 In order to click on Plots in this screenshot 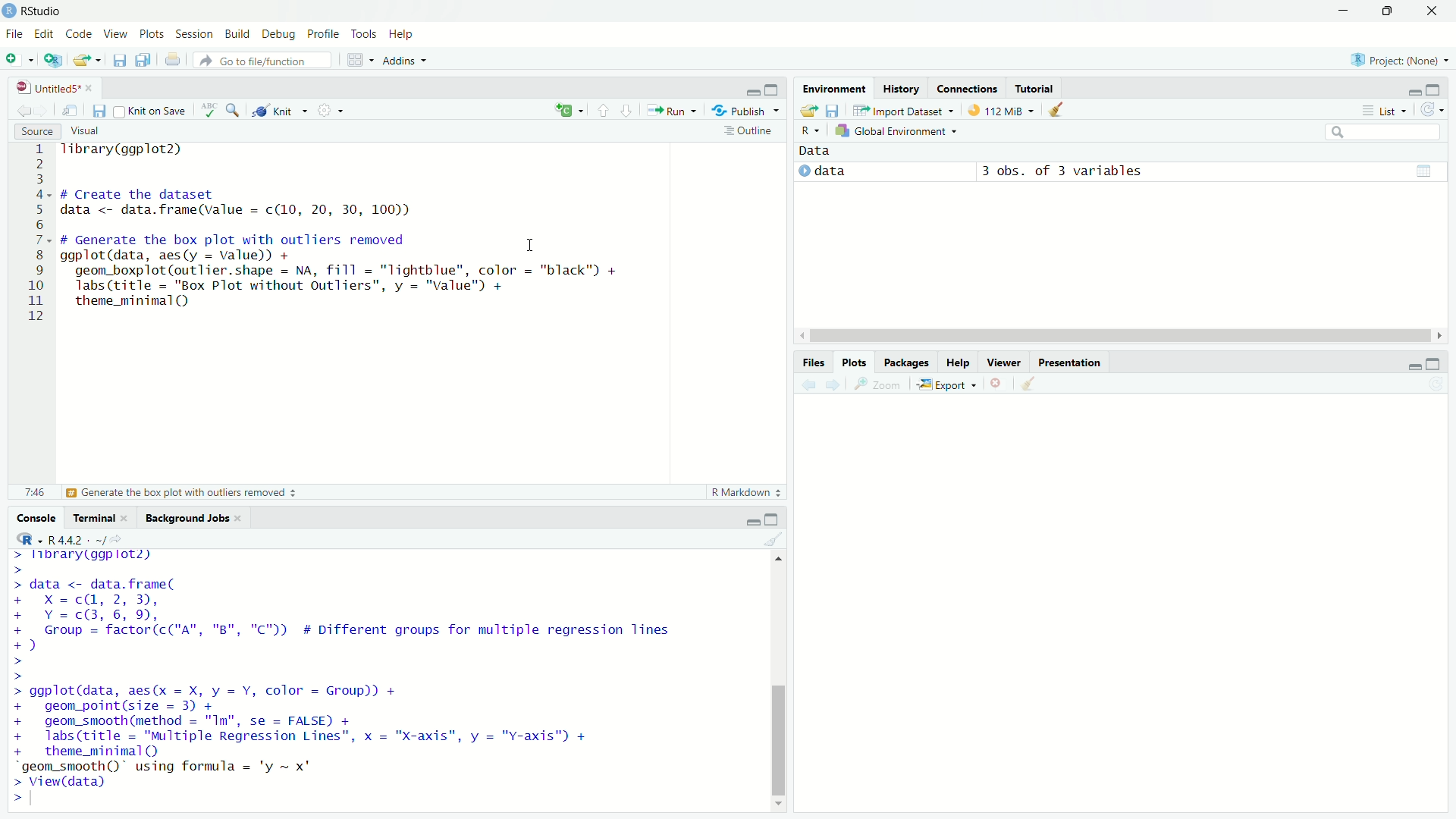, I will do `click(153, 34)`.